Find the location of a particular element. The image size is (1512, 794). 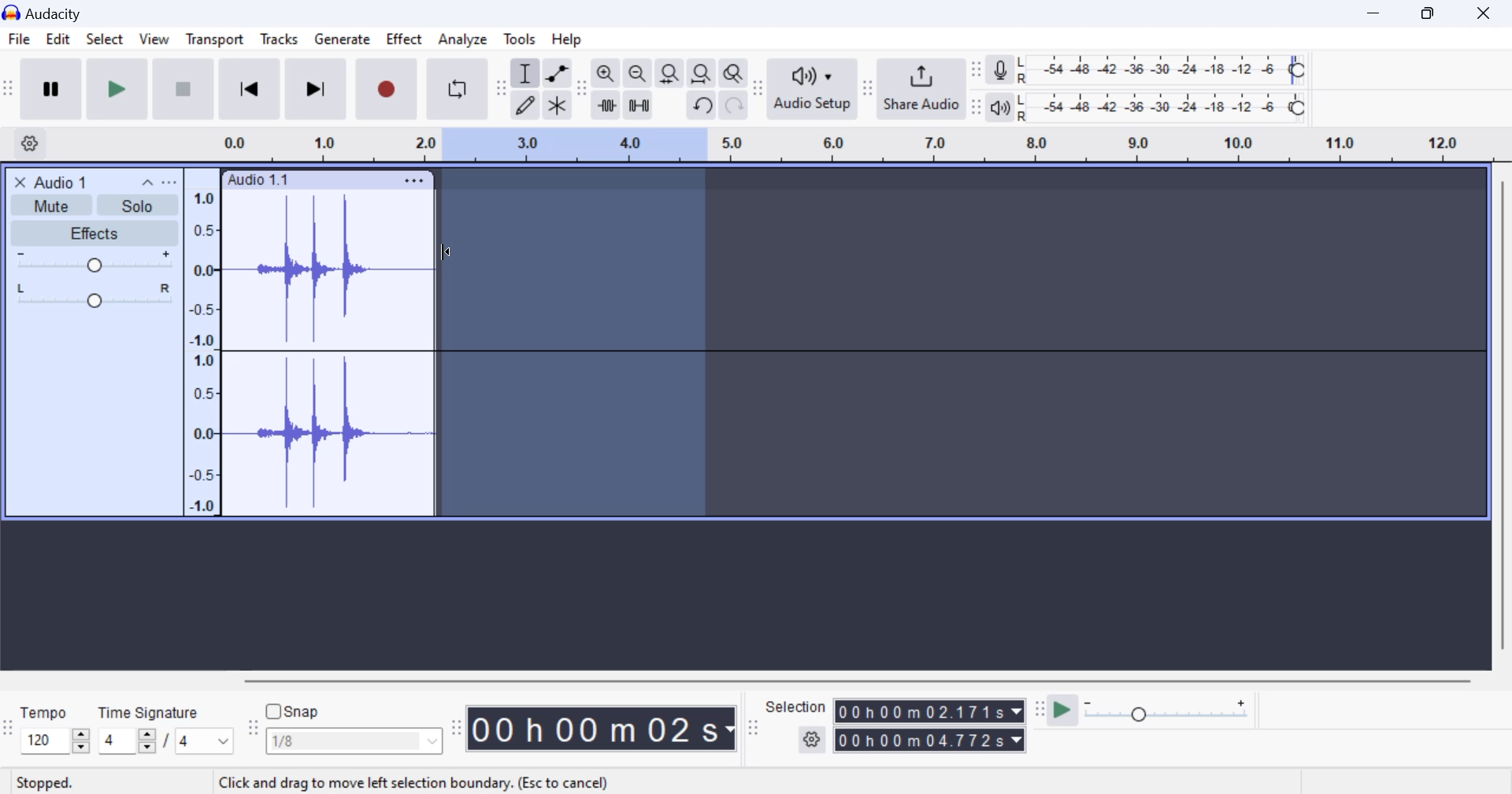

record meter is located at coordinates (1001, 72).